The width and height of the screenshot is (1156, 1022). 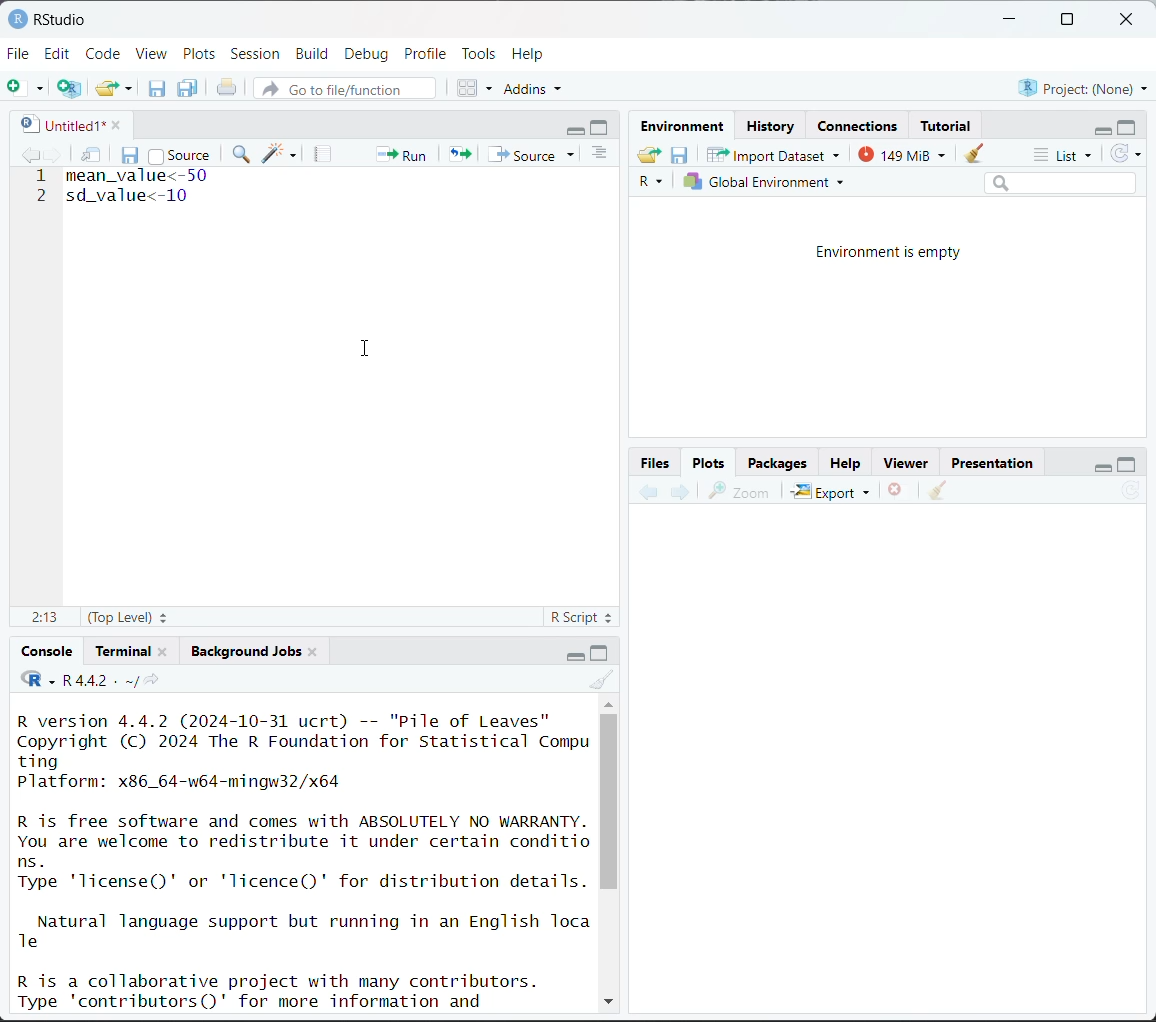 What do you see at coordinates (530, 53) in the screenshot?
I see `Help` at bounding box center [530, 53].